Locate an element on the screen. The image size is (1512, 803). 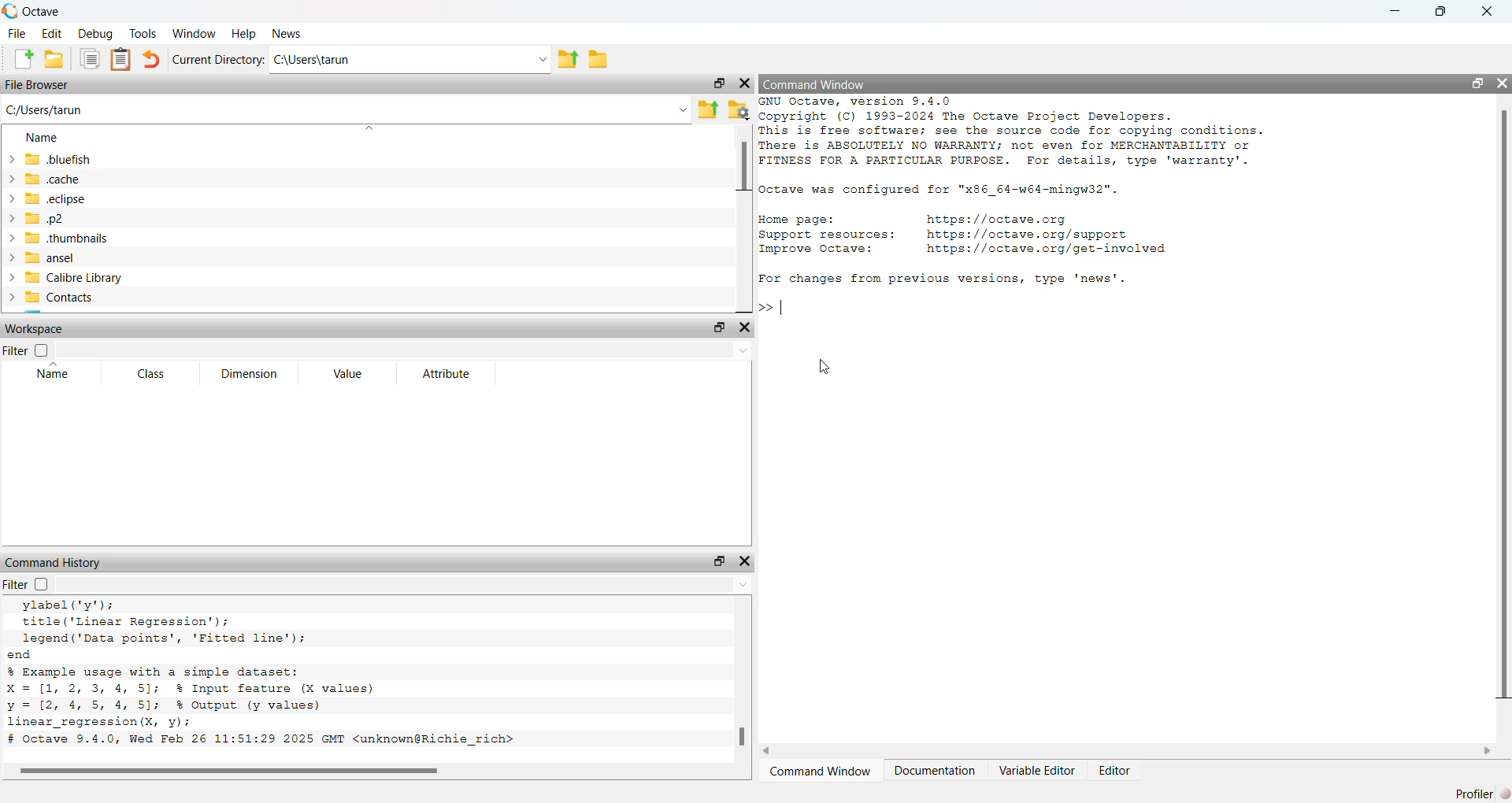
filter input field is located at coordinates (406, 587).